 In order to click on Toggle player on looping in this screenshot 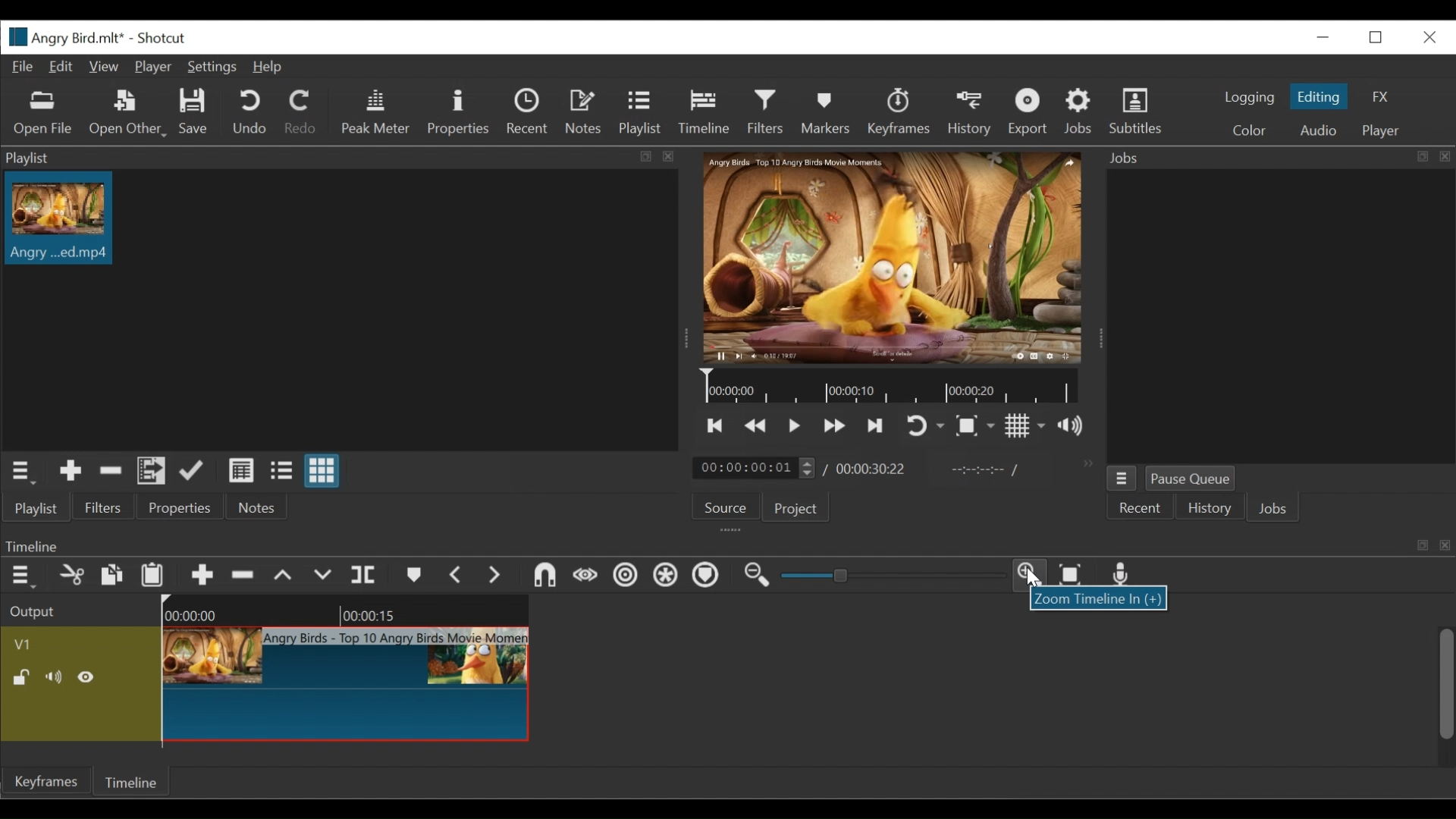, I will do `click(927, 426)`.